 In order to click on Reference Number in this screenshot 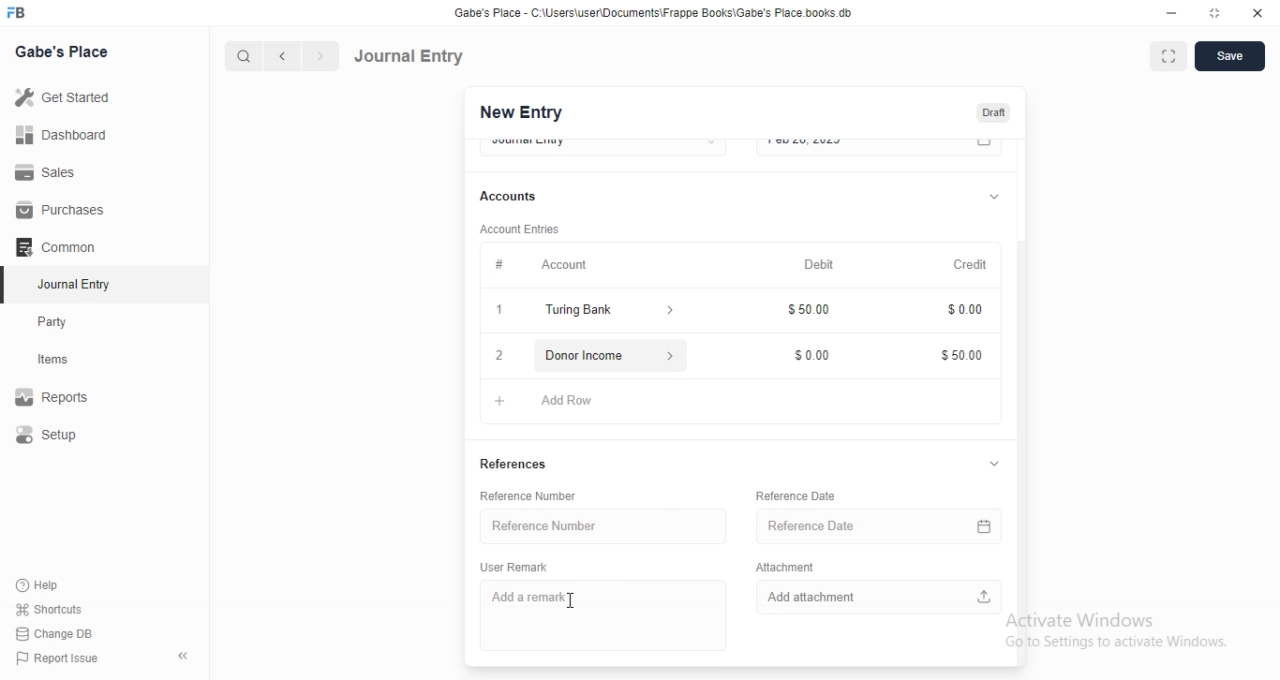, I will do `click(537, 496)`.